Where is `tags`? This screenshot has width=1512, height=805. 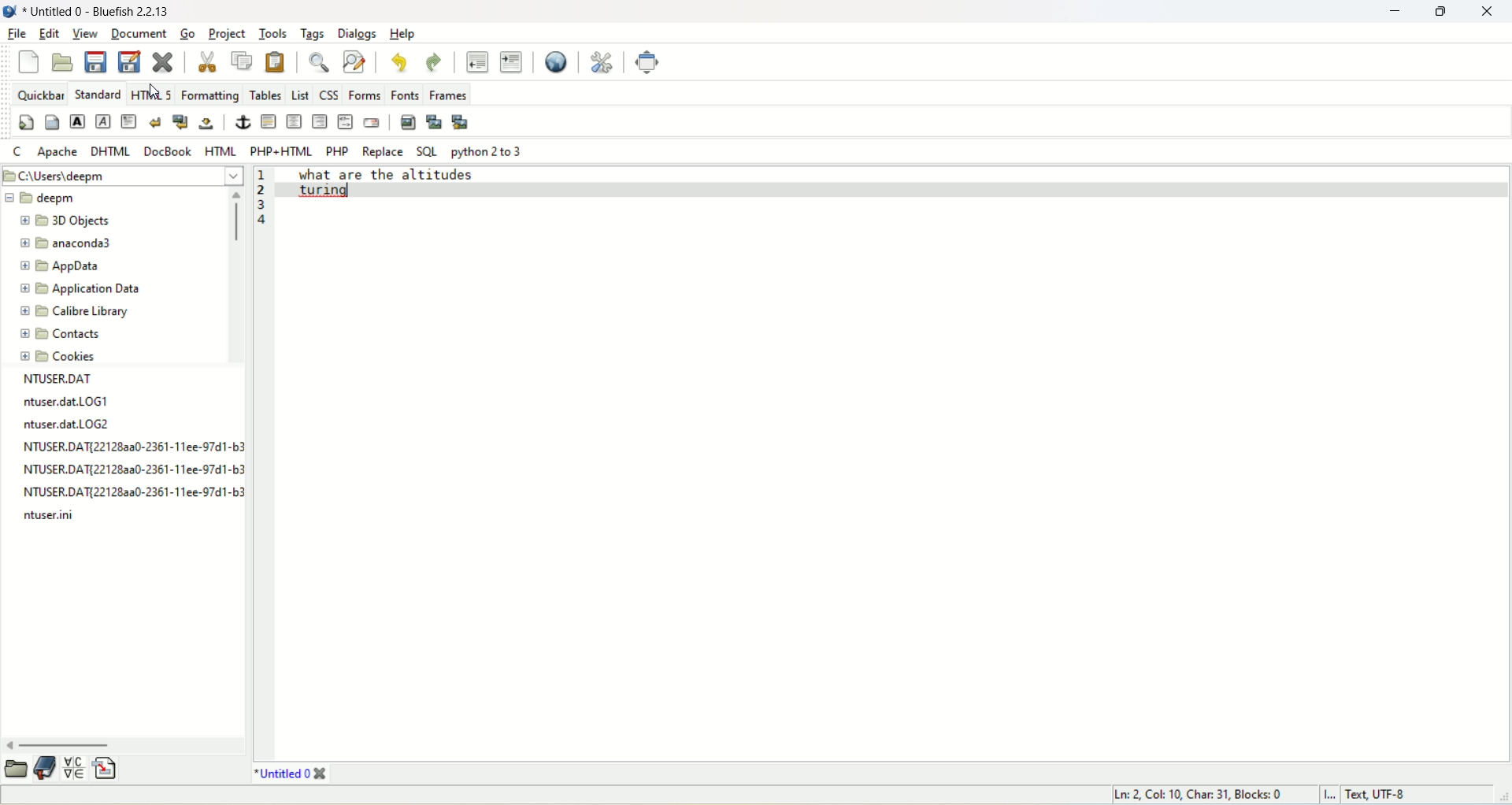
tags is located at coordinates (314, 34).